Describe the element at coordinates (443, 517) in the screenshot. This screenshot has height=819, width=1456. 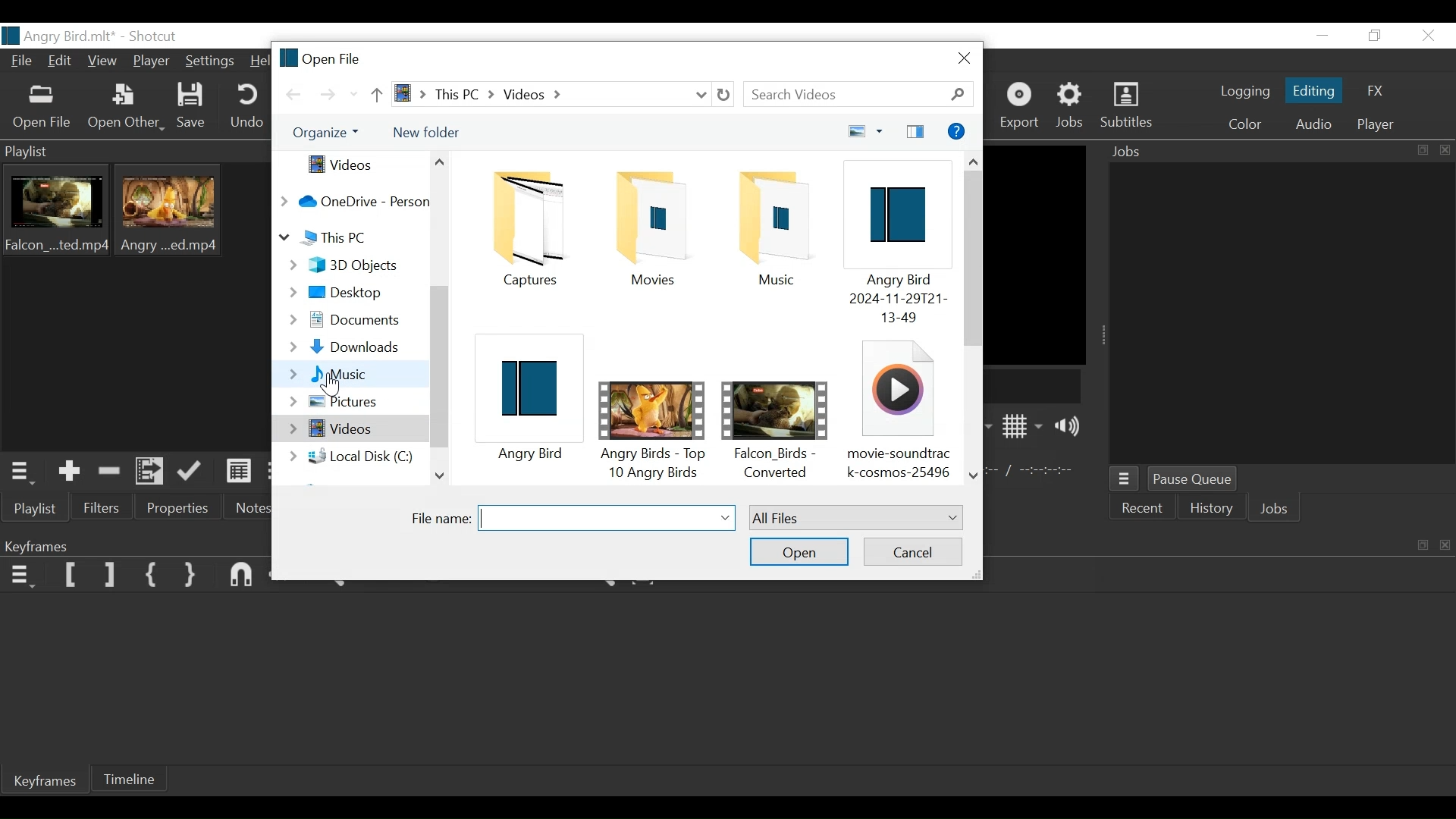
I see `File Name` at that location.